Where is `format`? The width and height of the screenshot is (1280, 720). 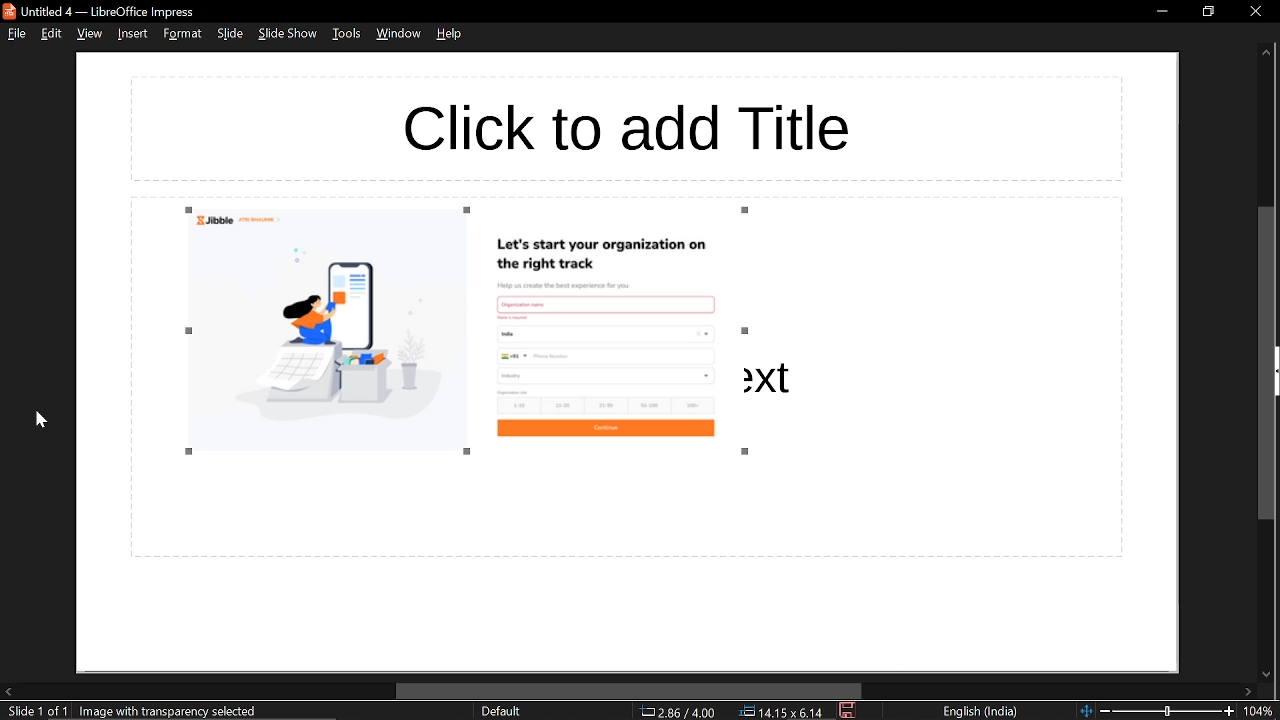 format is located at coordinates (182, 33).